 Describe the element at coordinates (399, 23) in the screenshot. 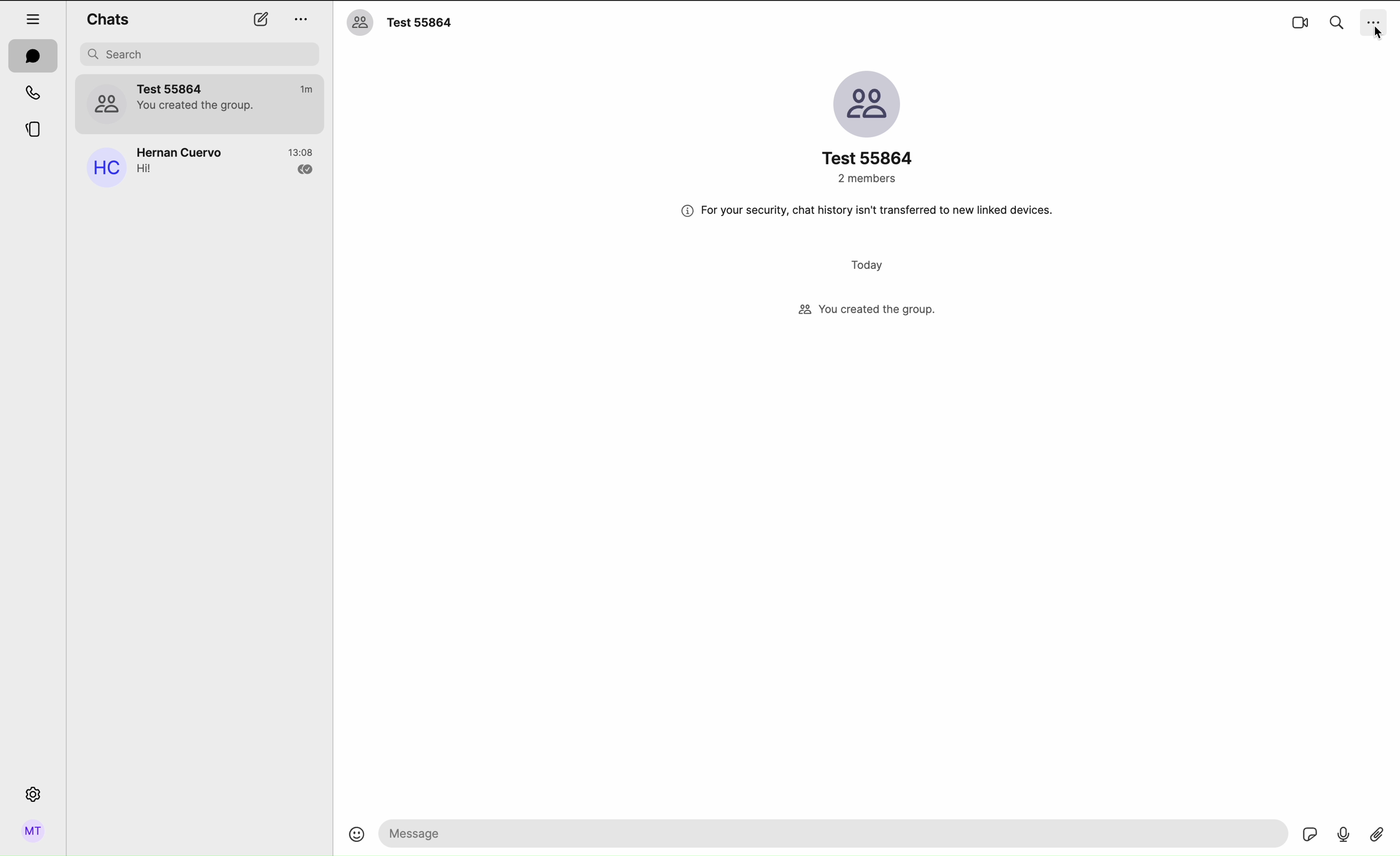

I see `chat name` at that location.